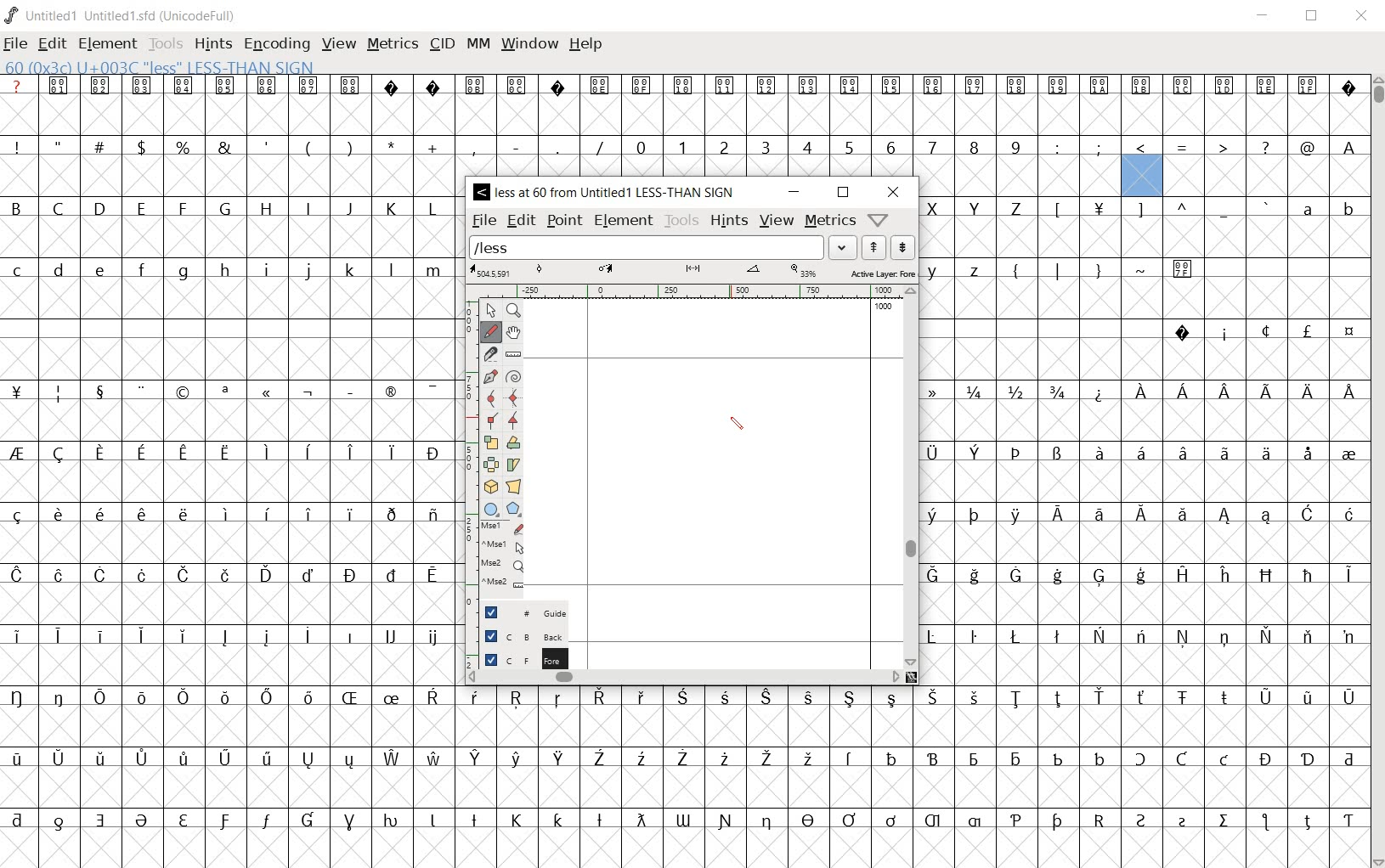 The image size is (1385, 868). What do you see at coordinates (515, 463) in the screenshot?
I see `skew the selection` at bounding box center [515, 463].